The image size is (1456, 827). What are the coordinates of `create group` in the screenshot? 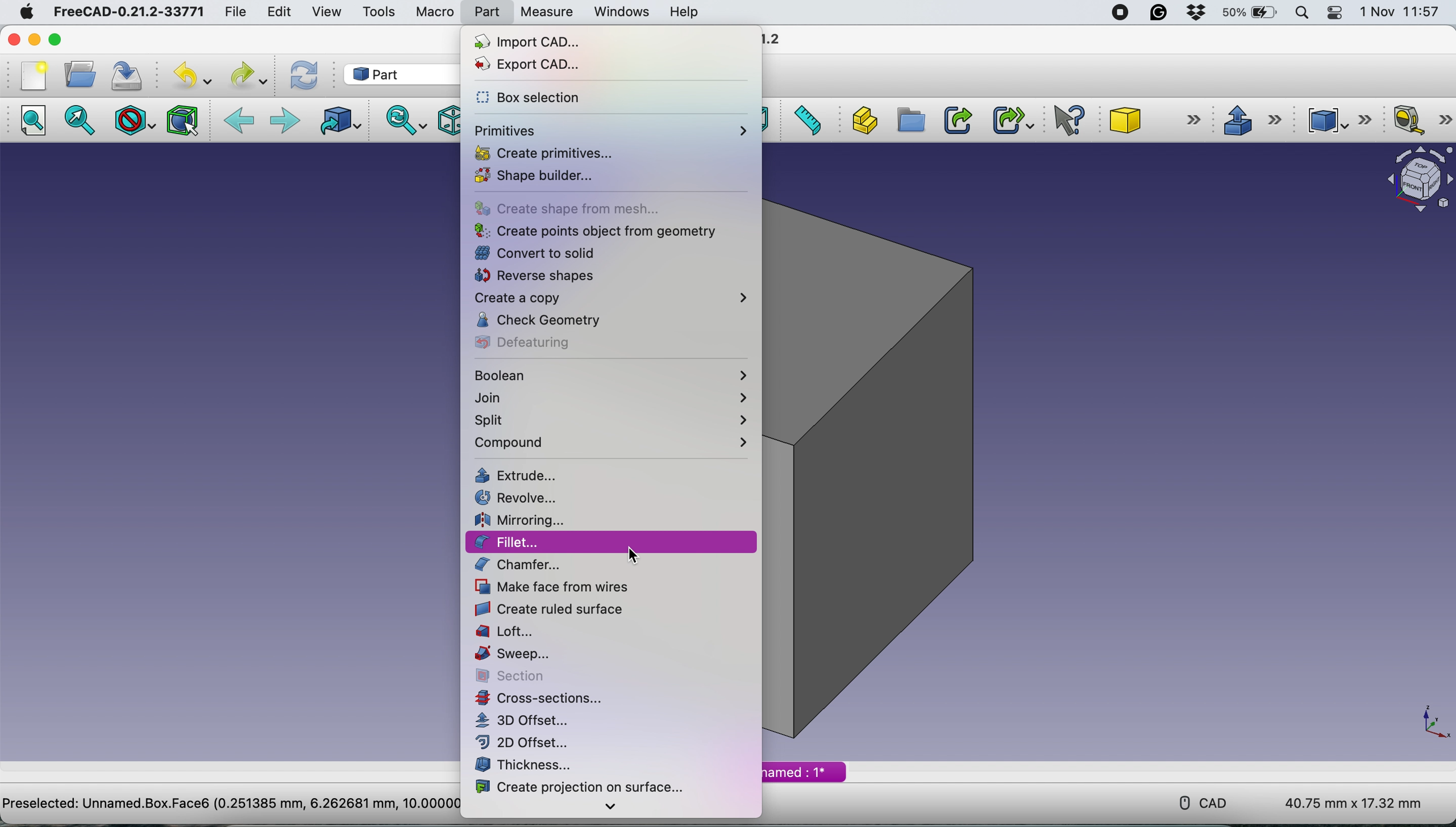 It's located at (909, 121).